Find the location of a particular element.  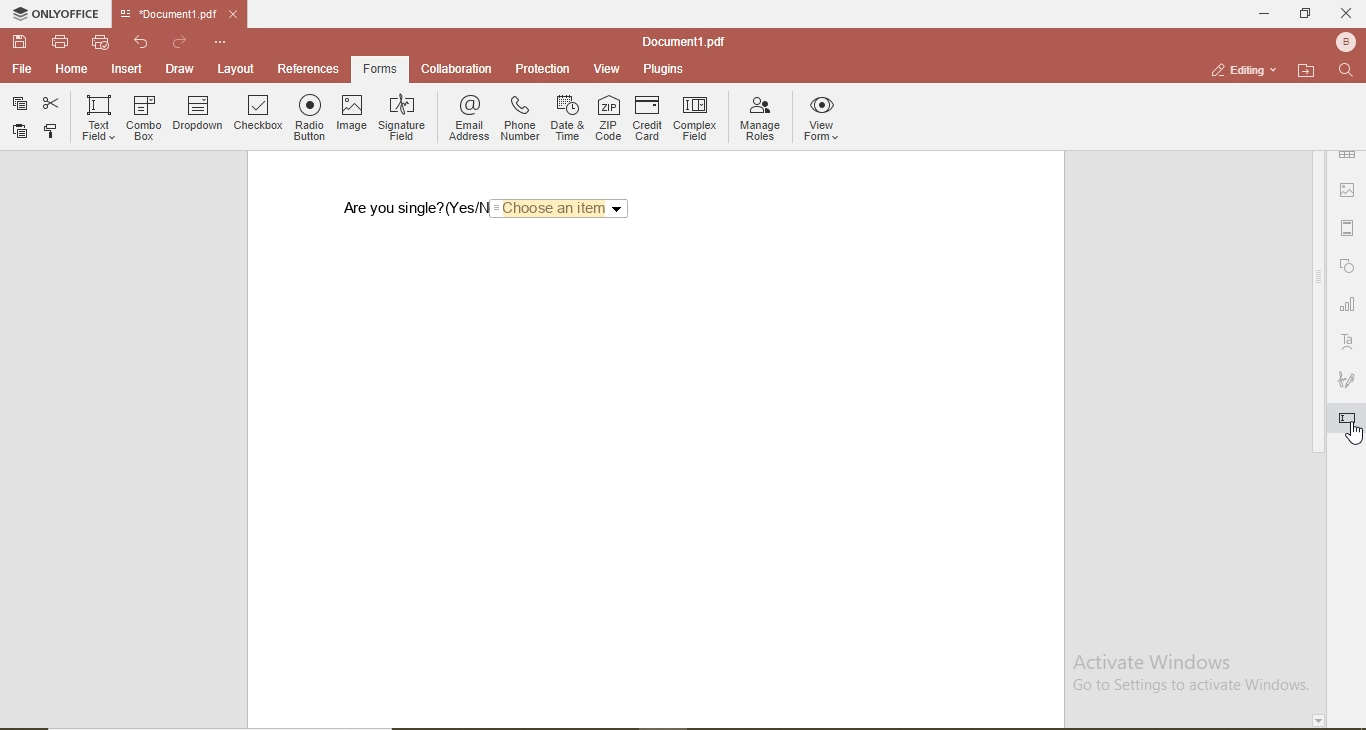

copy is located at coordinates (52, 131).